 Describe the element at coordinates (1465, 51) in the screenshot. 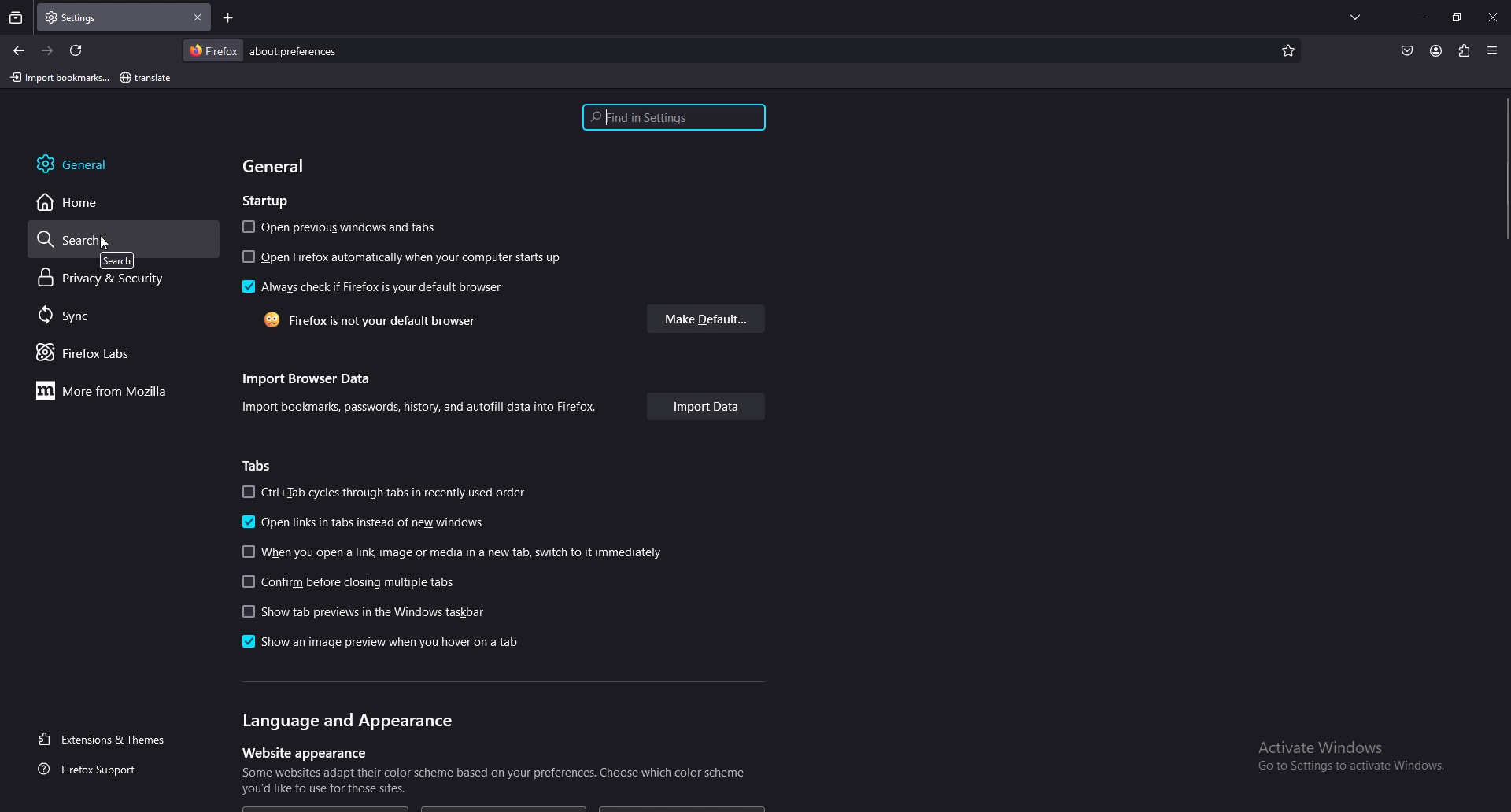

I see `extensions` at that location.